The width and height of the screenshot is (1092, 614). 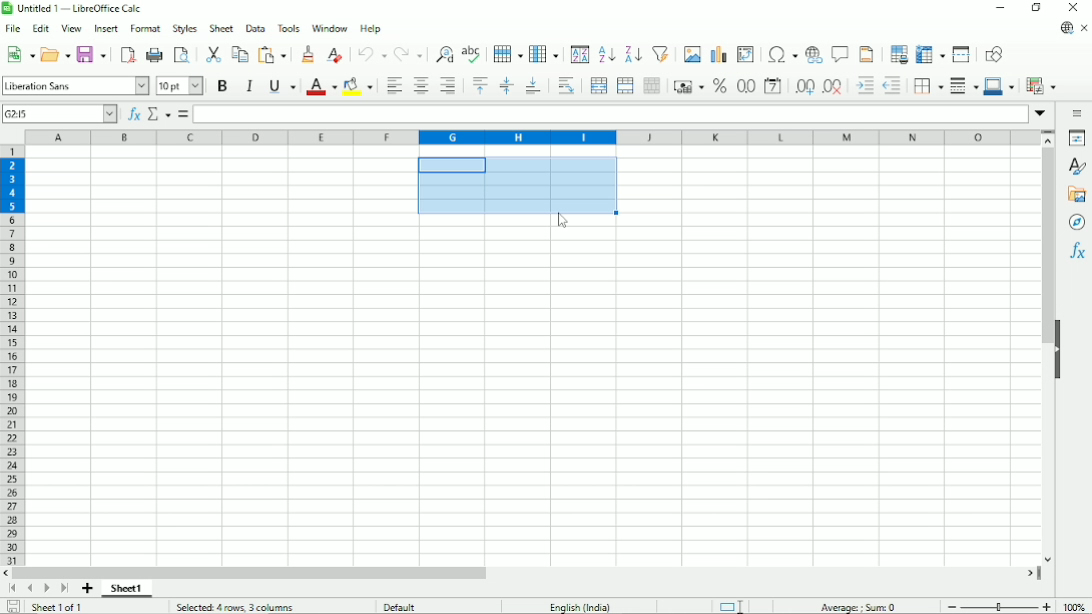 I want to click on Cursor, so click(x=563, y=222).